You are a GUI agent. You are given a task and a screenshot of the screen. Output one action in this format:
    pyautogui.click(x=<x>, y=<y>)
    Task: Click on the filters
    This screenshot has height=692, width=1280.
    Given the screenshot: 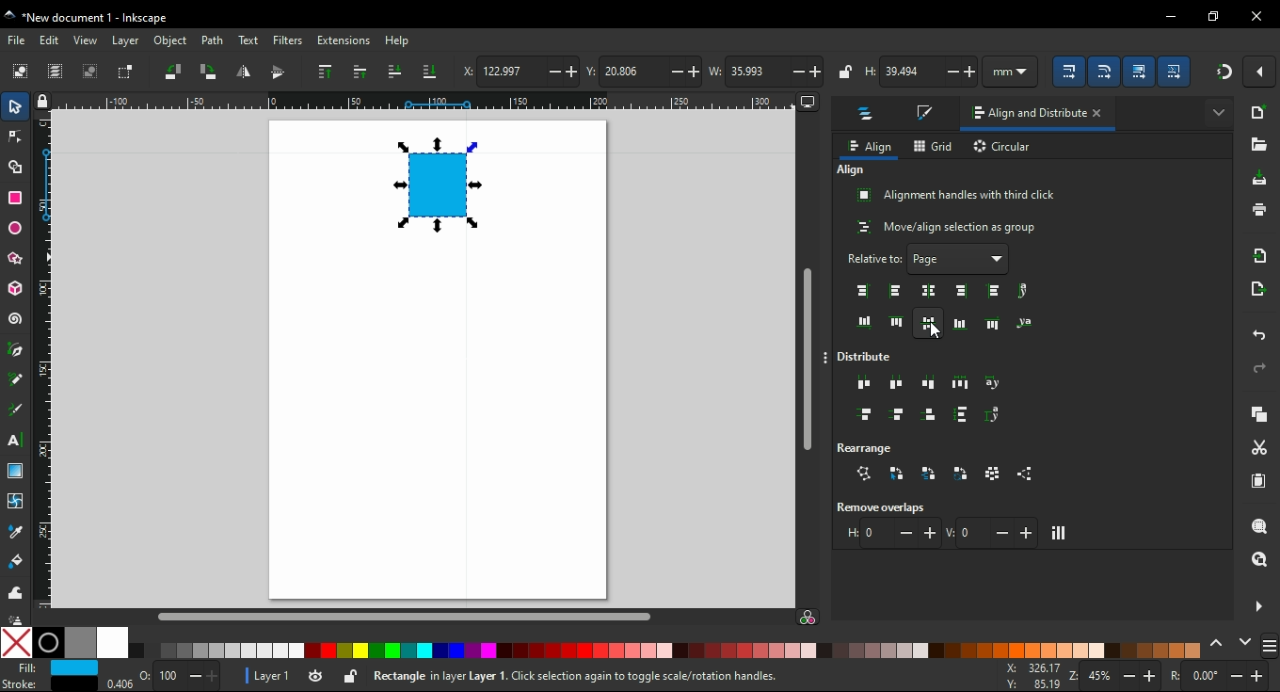 What is the action you would take?
    pyautogui.click(x=288, y=40)
    